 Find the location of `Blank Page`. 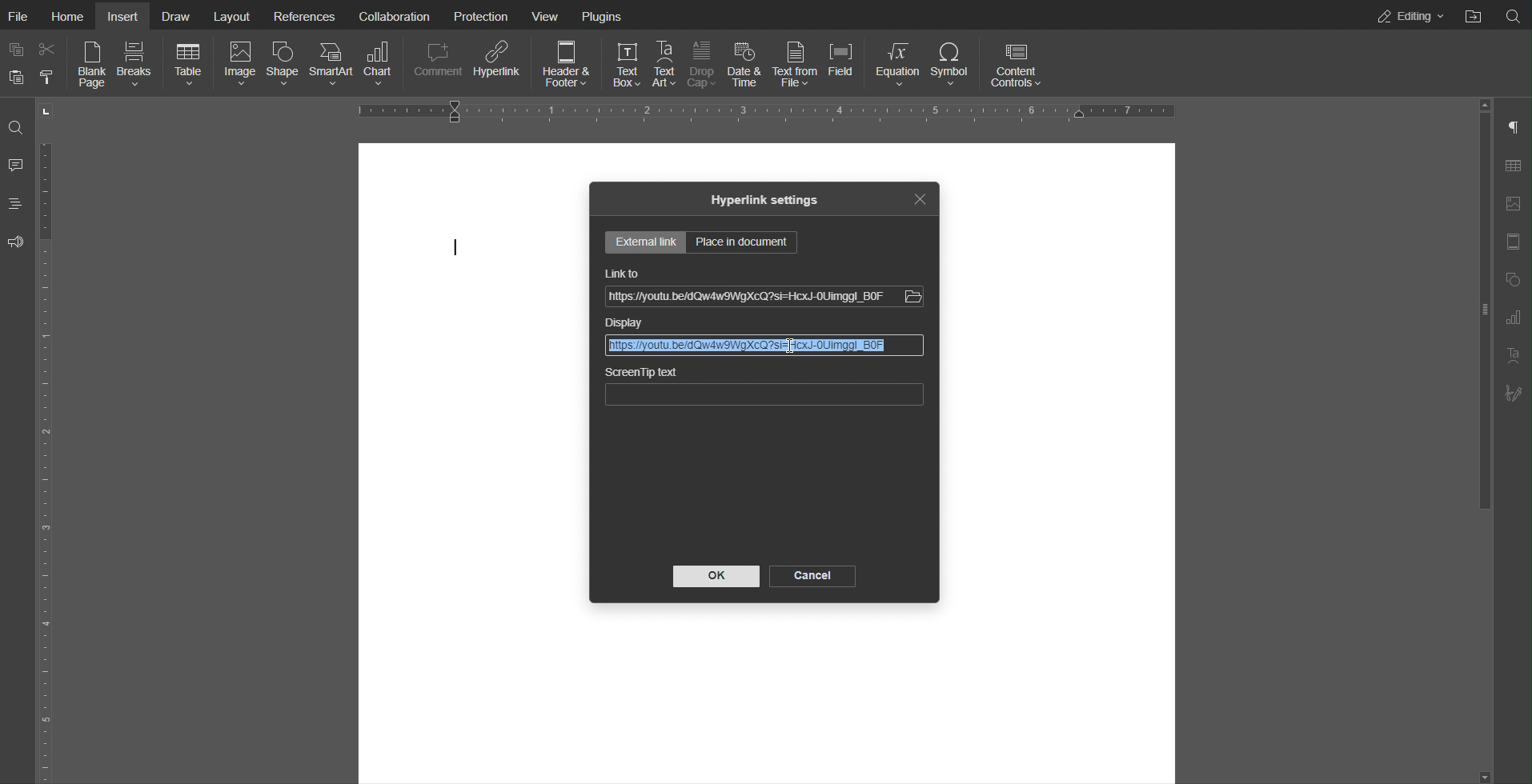

Blank Page is located at coordinates (92, 66).